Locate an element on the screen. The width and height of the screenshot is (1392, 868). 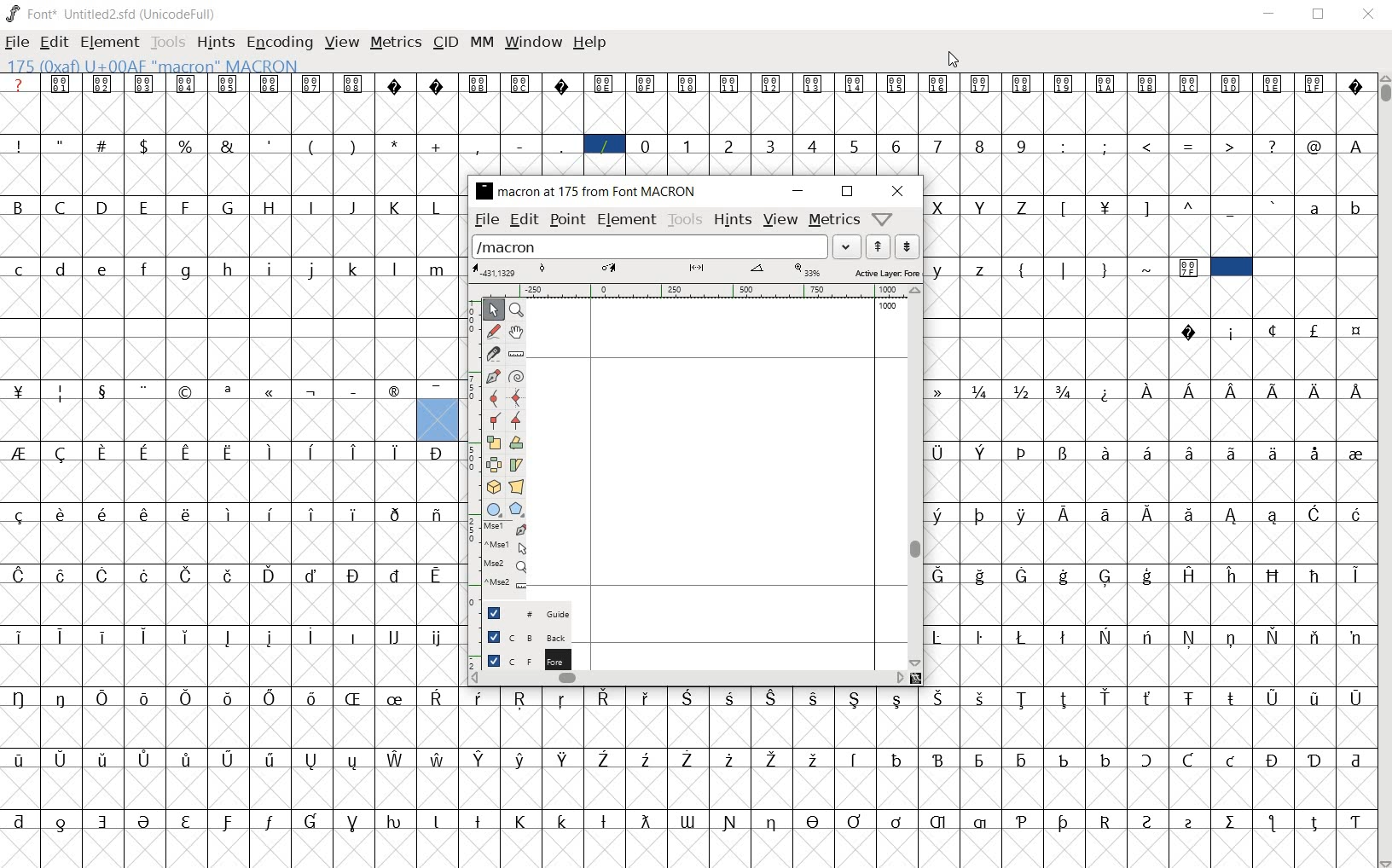
Symbol is located at coordinates (351, 636).